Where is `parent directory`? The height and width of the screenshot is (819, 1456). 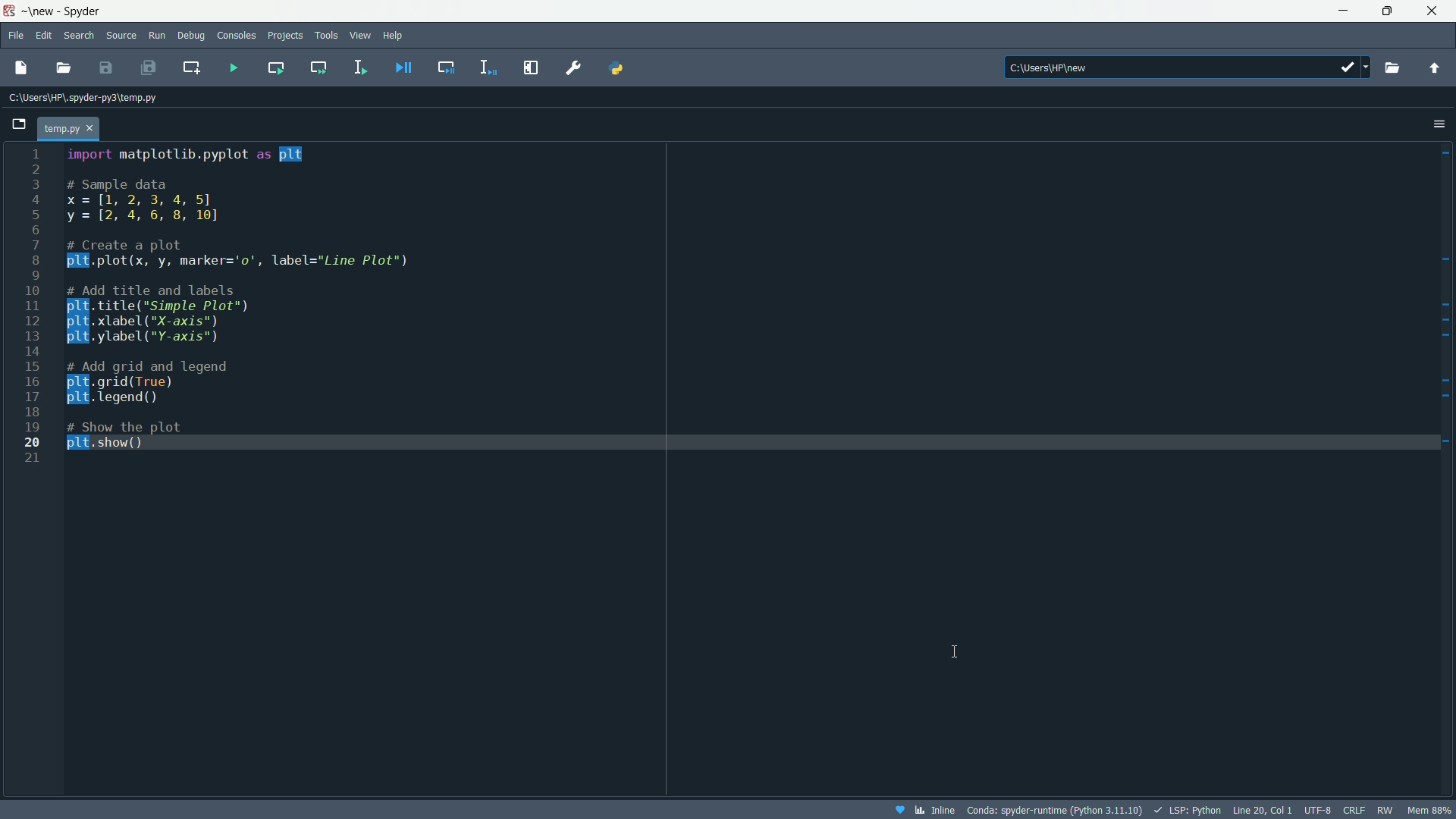 parent directory is located at coordinates (1434, 67).